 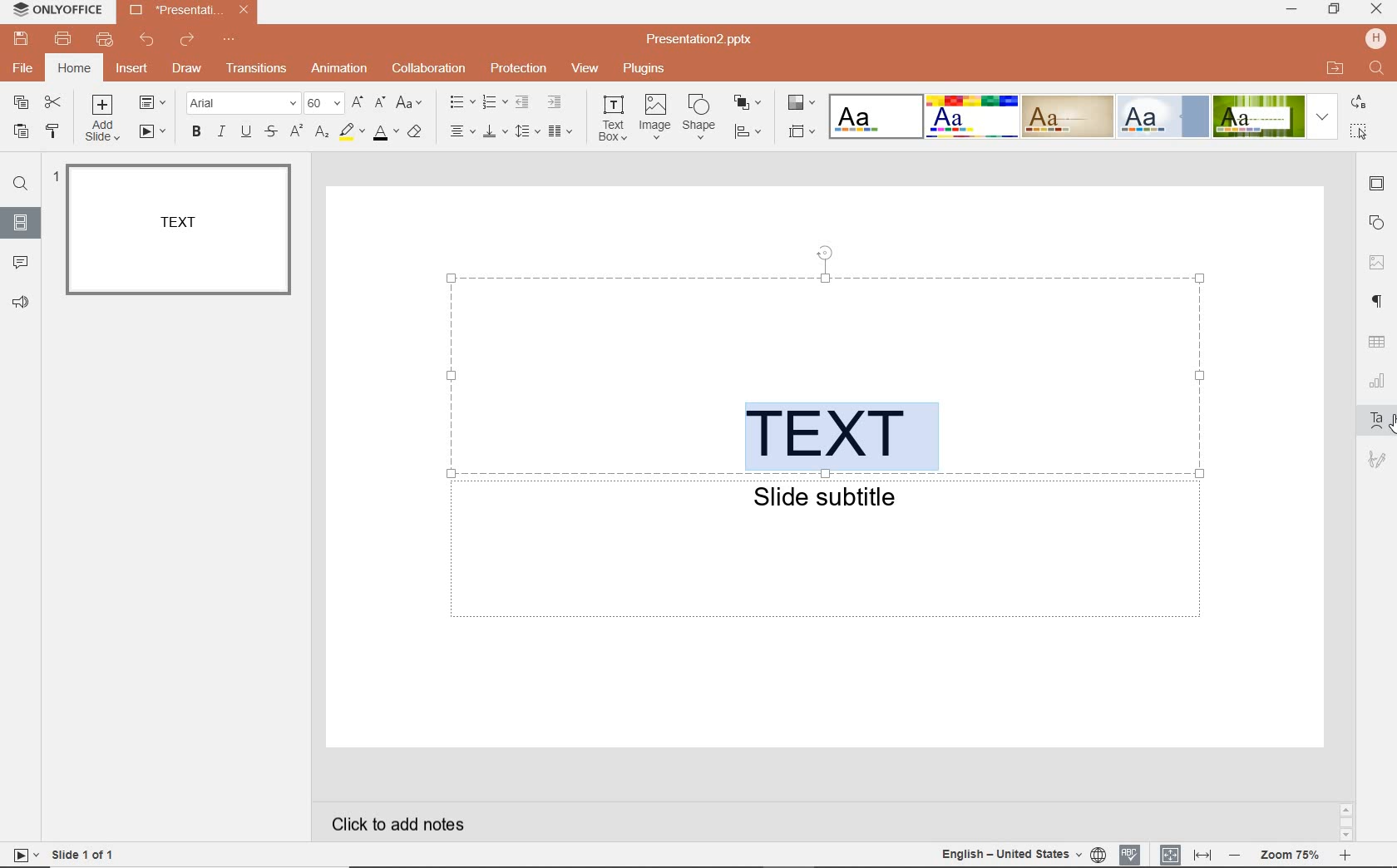 What do you see at coordinates (462, 132) in the screenshot?
I see `HORIZONTAL ALIGN` at bounding box center [462, 132].